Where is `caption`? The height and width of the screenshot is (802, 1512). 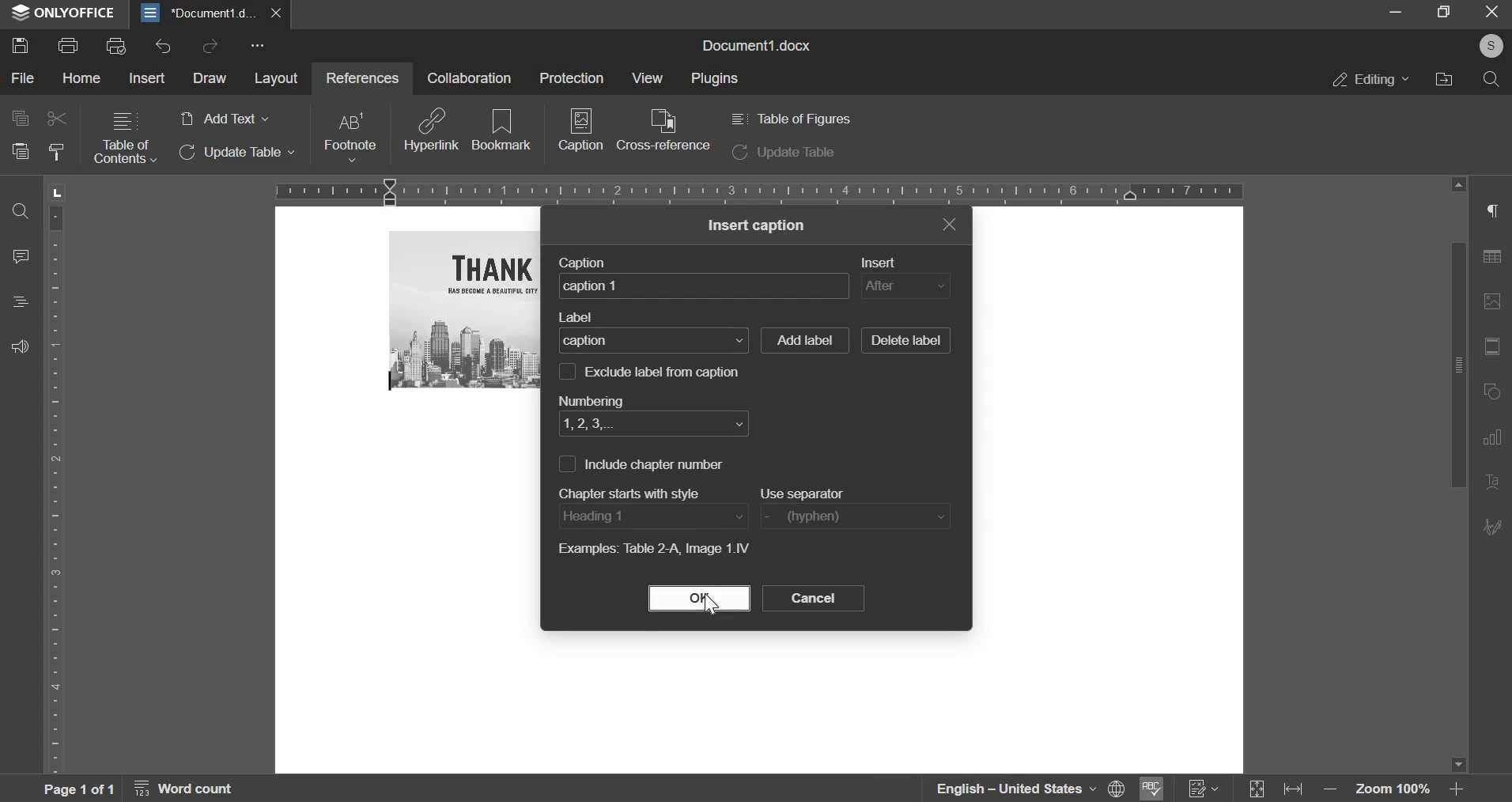
caption is located at coordinates (581, 135).